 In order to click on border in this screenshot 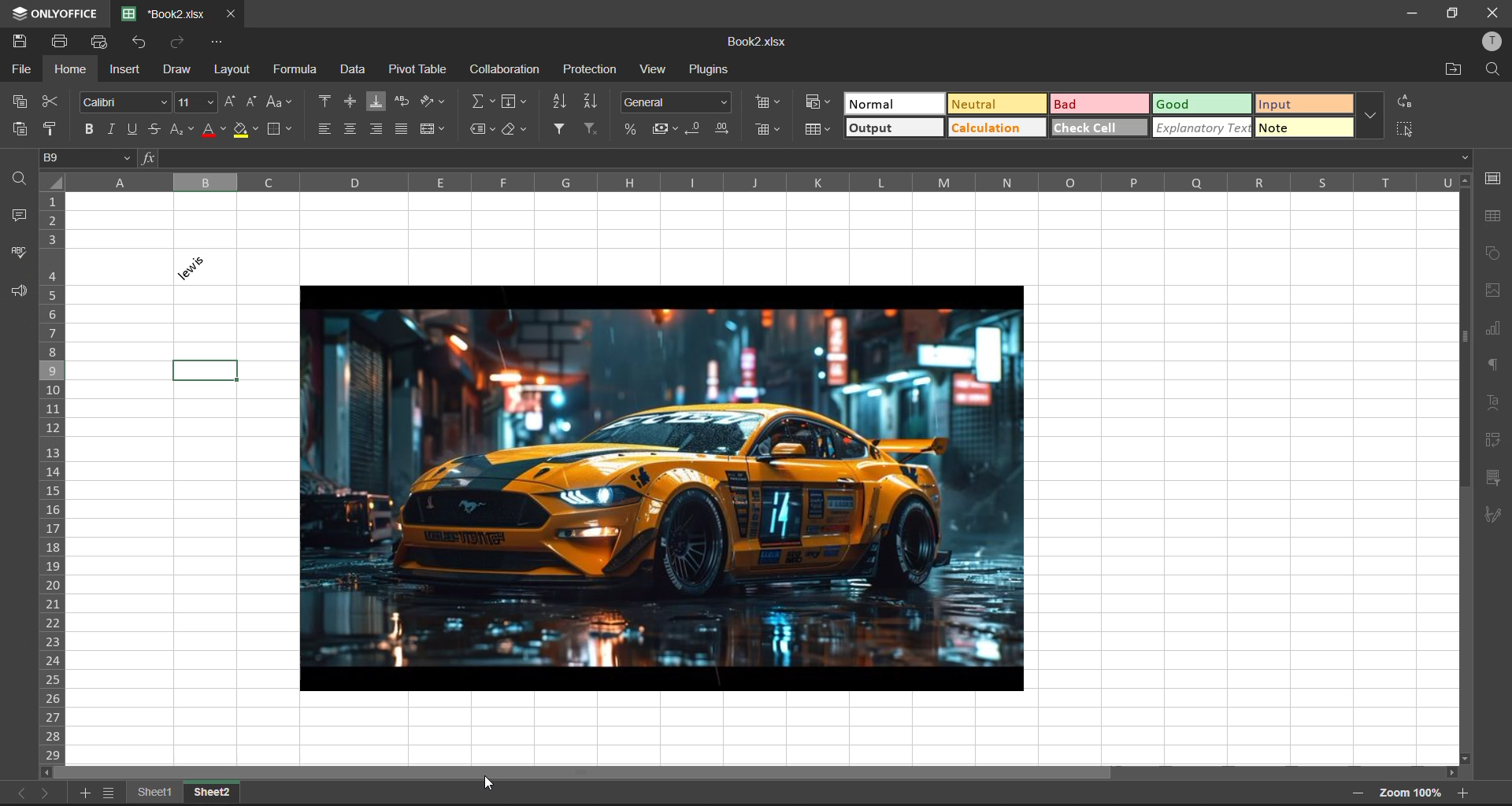, I will do `click(280, 131)`.